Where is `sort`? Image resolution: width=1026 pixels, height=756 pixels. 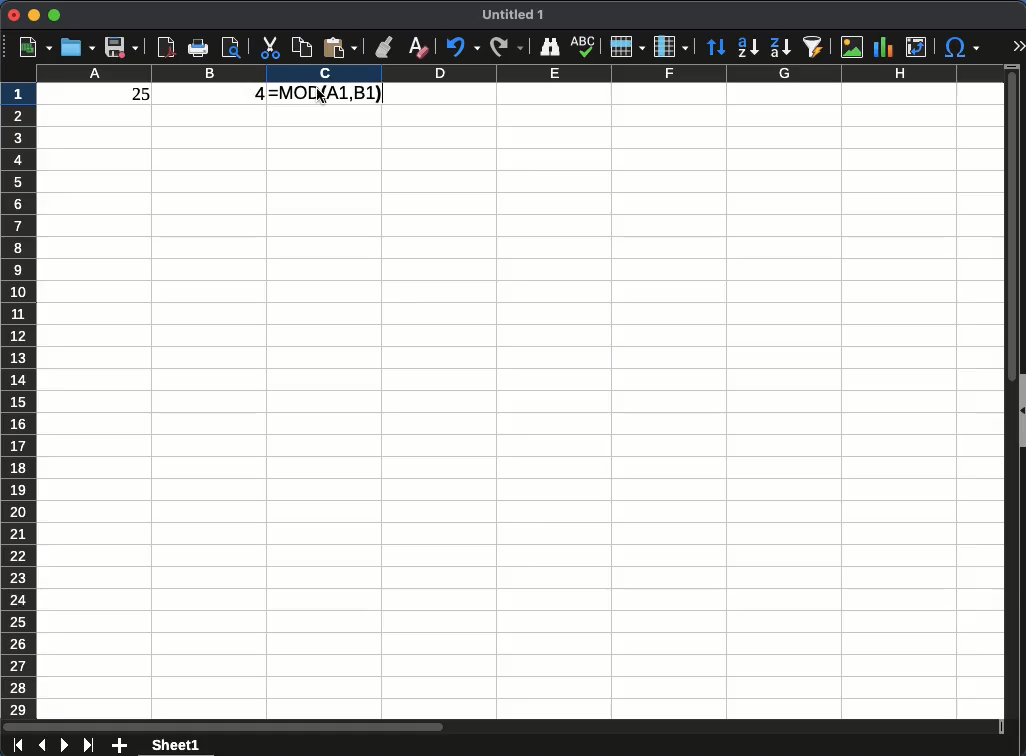 sort is located at coordinates (718, 47).